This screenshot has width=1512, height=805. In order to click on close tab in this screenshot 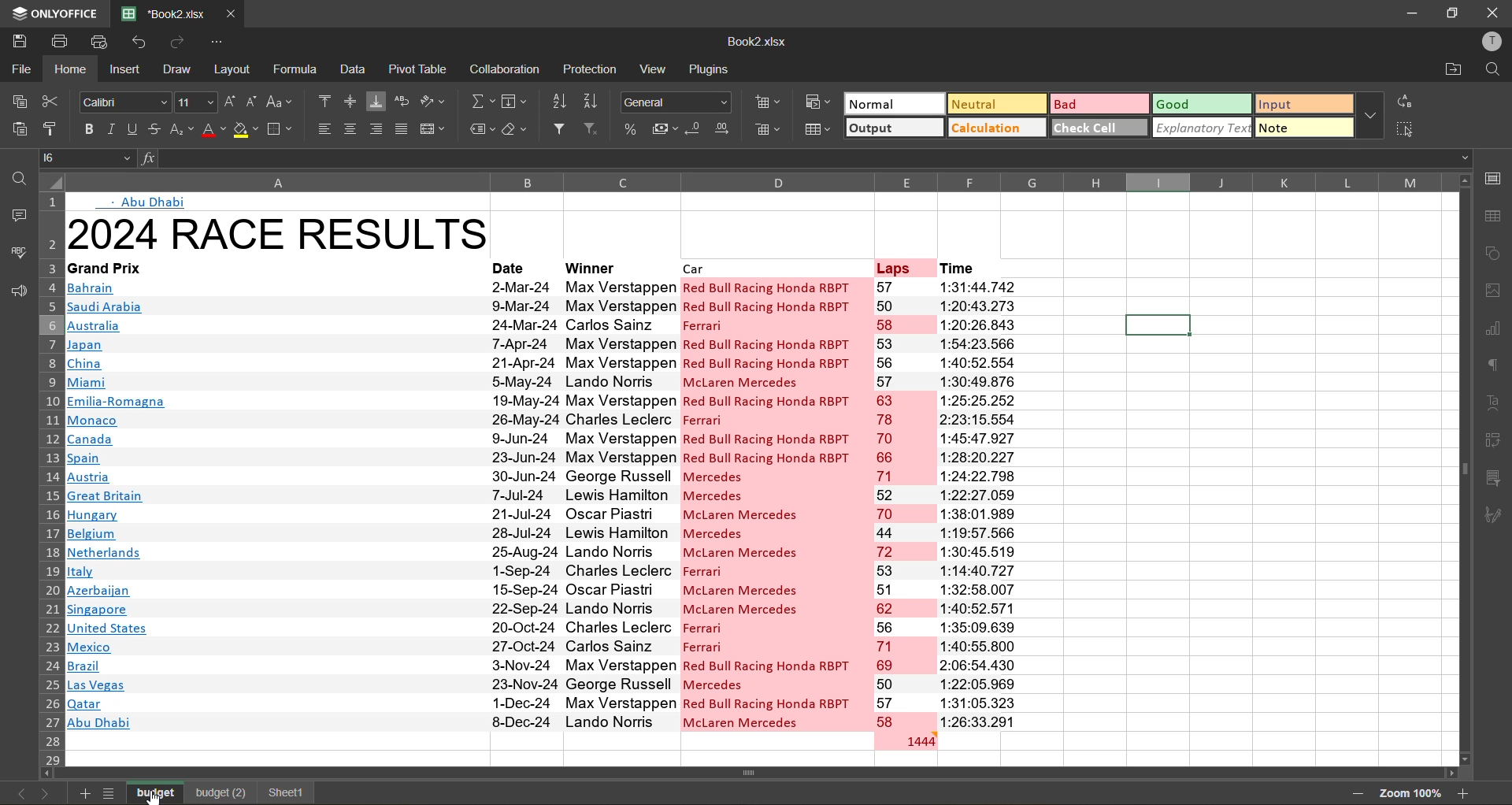, I will do `click(232, 11)`.